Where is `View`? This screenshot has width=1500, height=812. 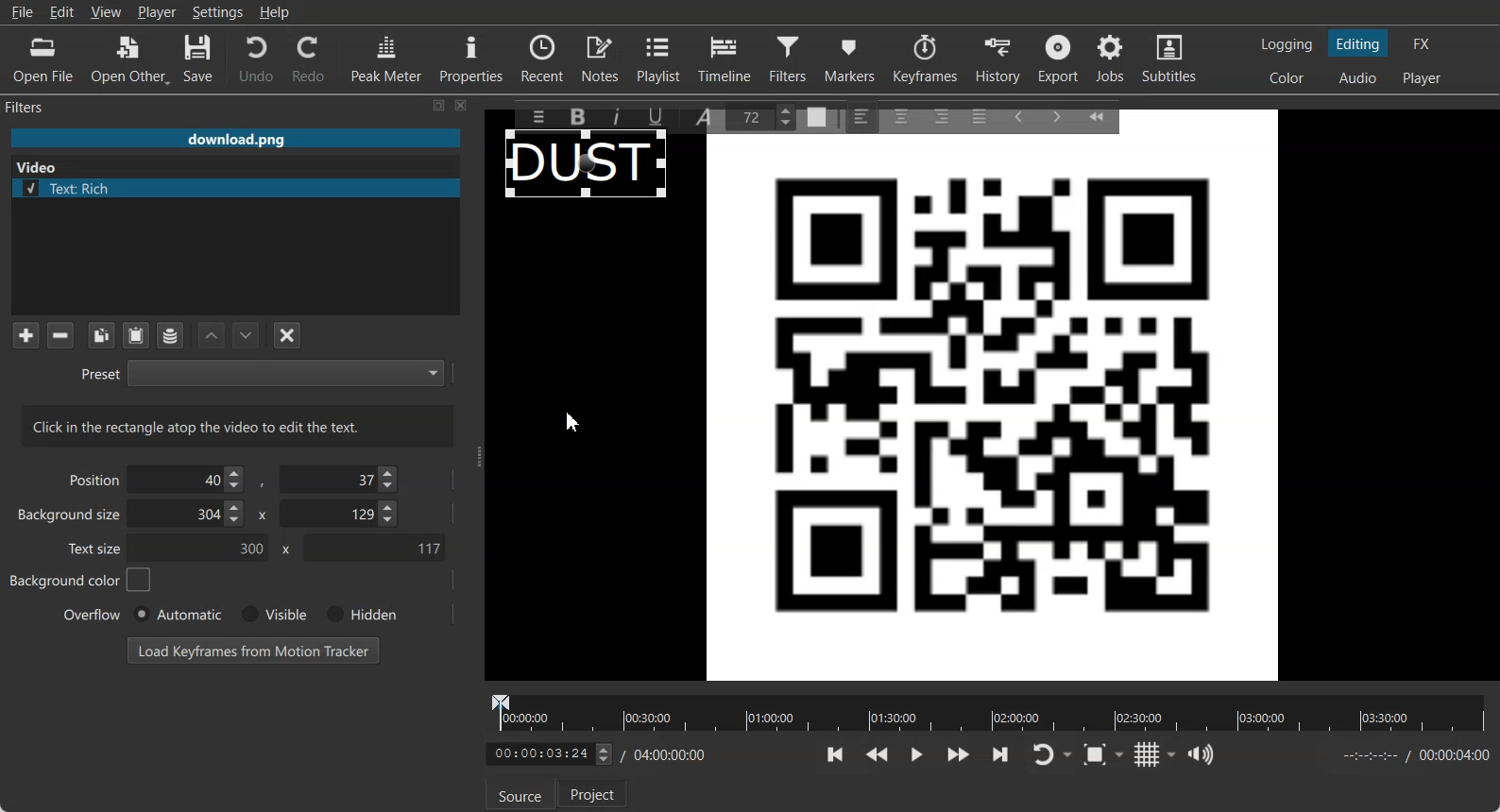 View is located at coordinates (106, 11).